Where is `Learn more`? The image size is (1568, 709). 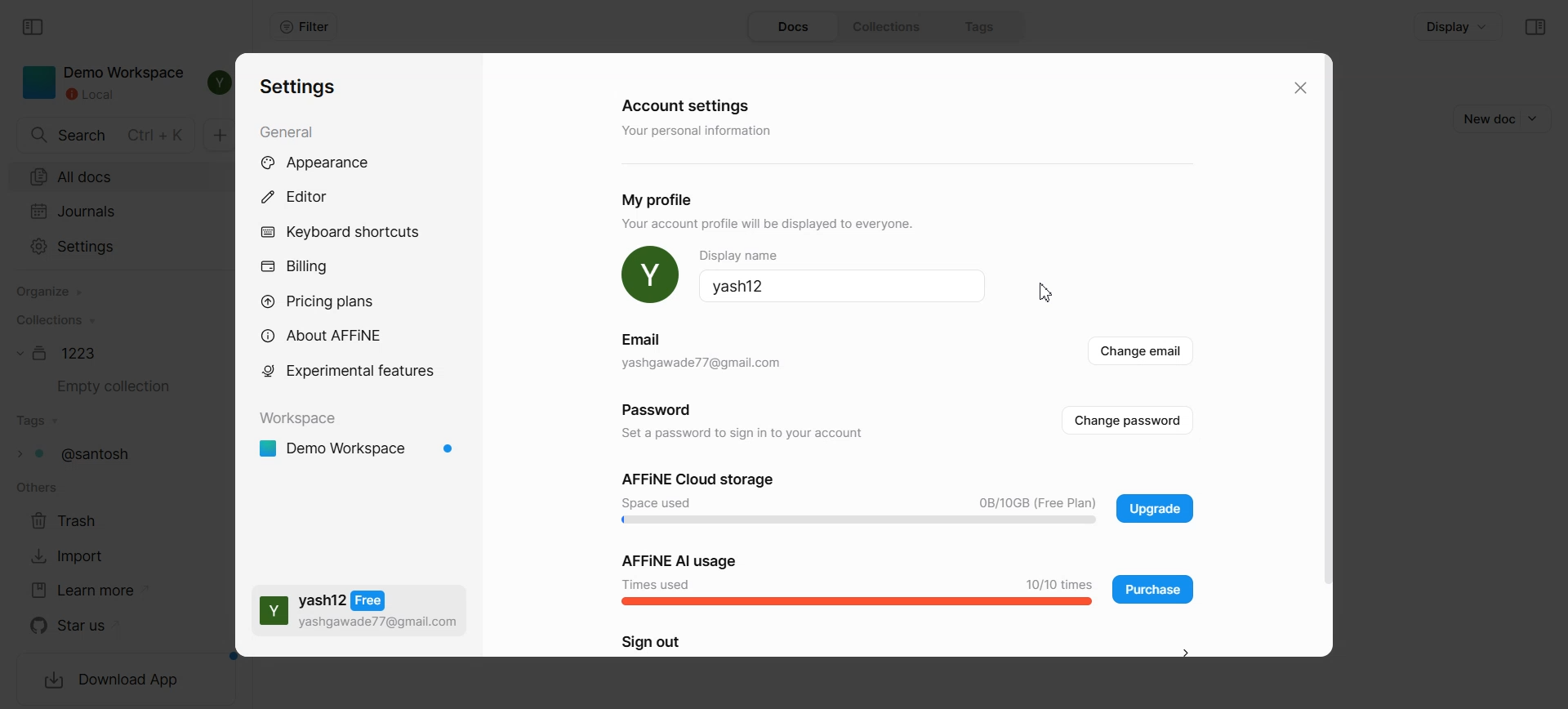
Learn more is located at coordinates (90, 591).